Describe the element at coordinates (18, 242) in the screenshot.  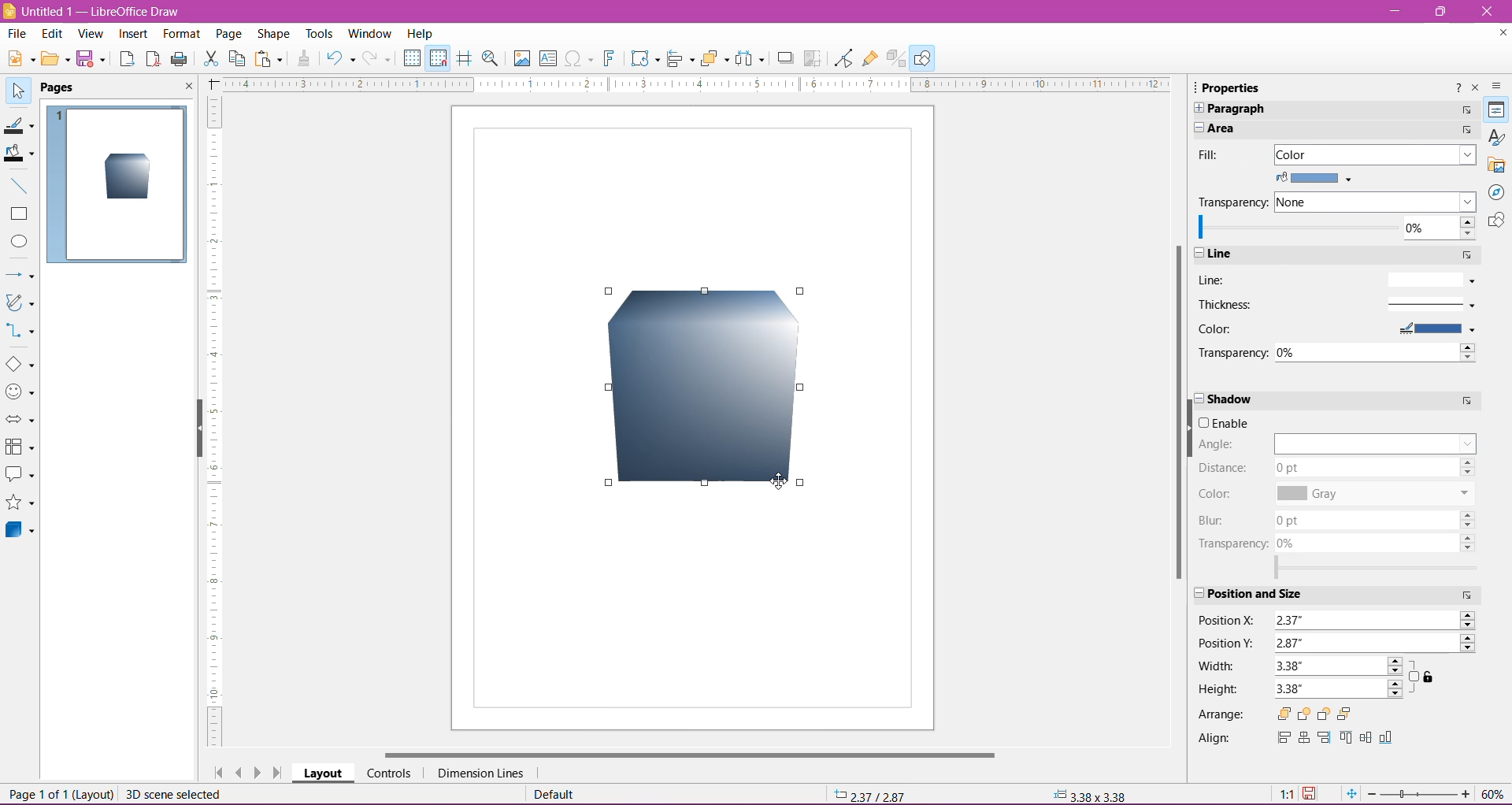
I see `Ellipse` at that location.